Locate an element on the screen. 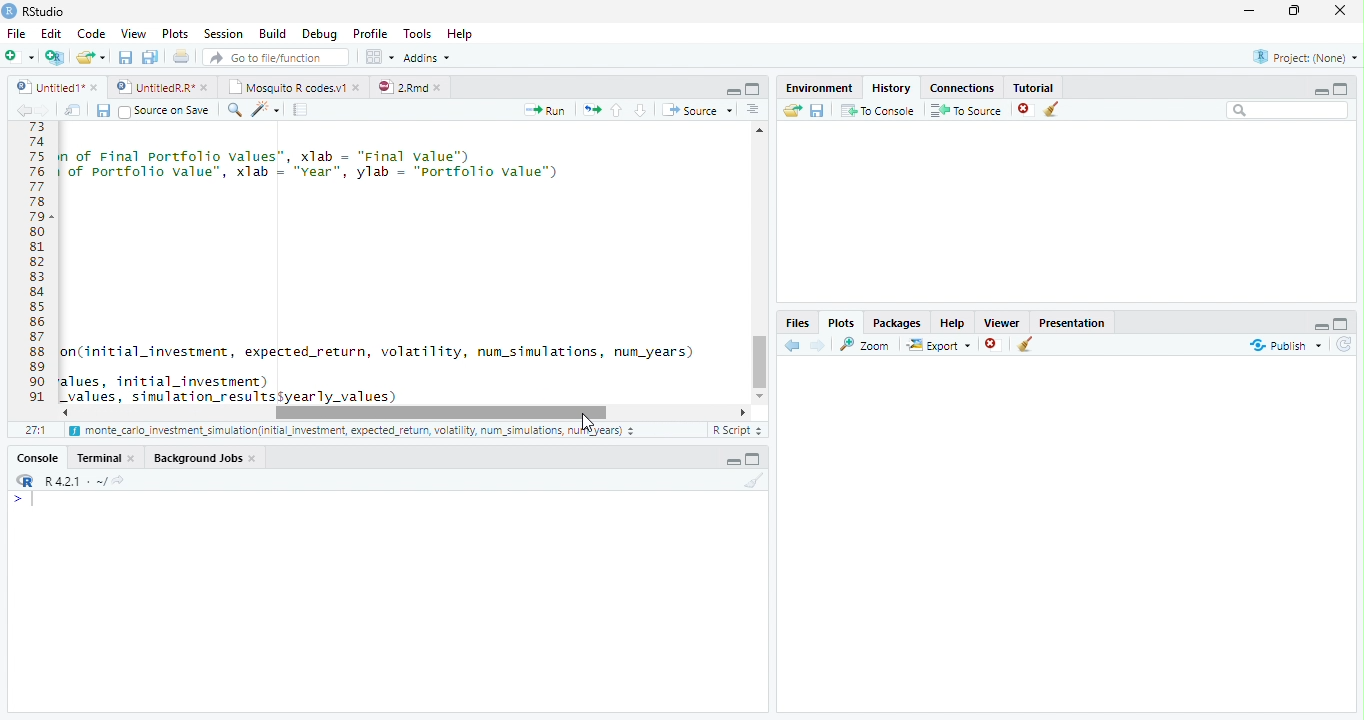 Image resolution: width=1364 pixels, height=720 pixels. Clear is located at coordinates (1026, 346).